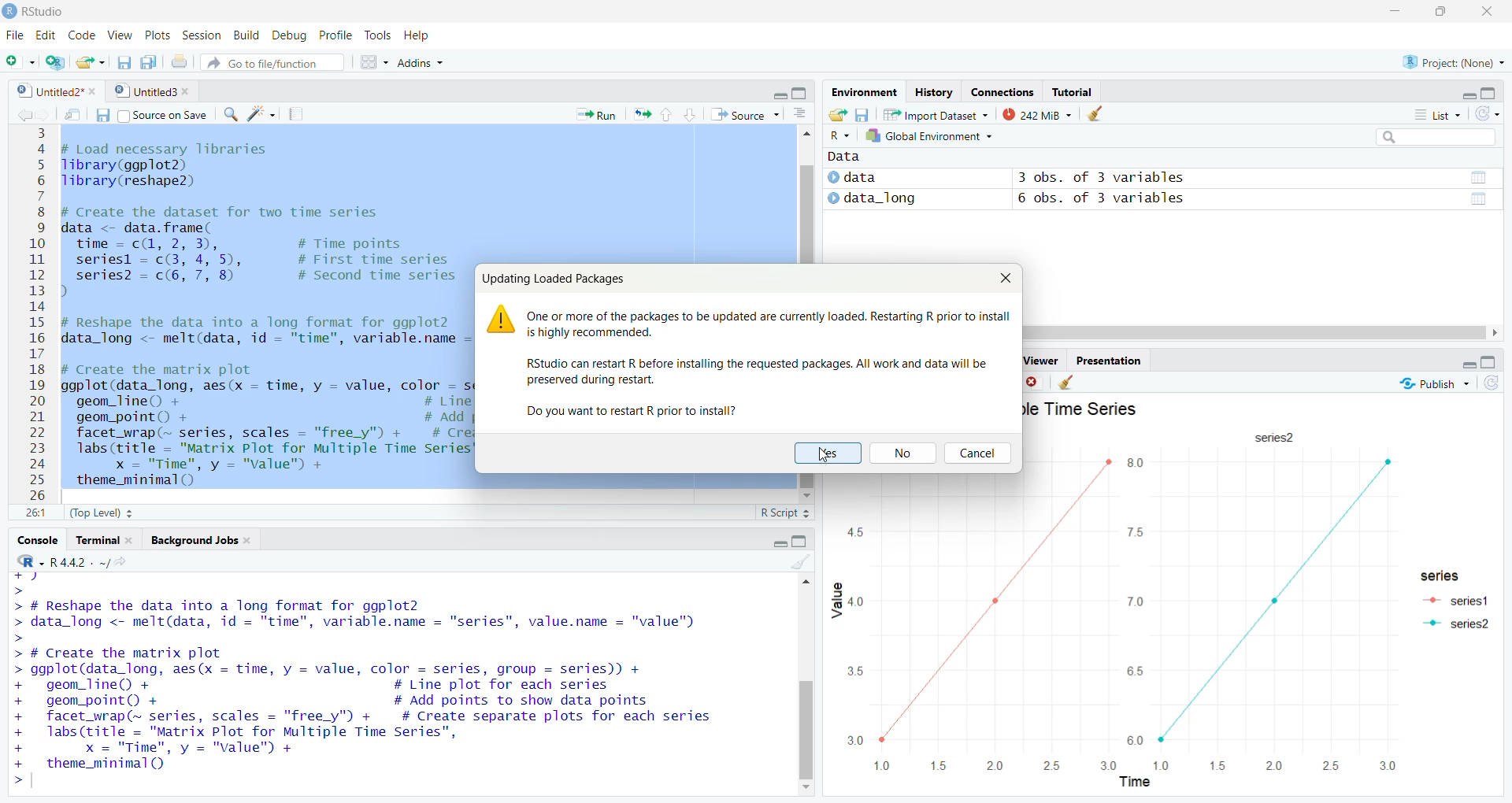 Image resolution: width=1512 pixels, height=803 pixels. I want to click on Load workspace, so click(838, 113).